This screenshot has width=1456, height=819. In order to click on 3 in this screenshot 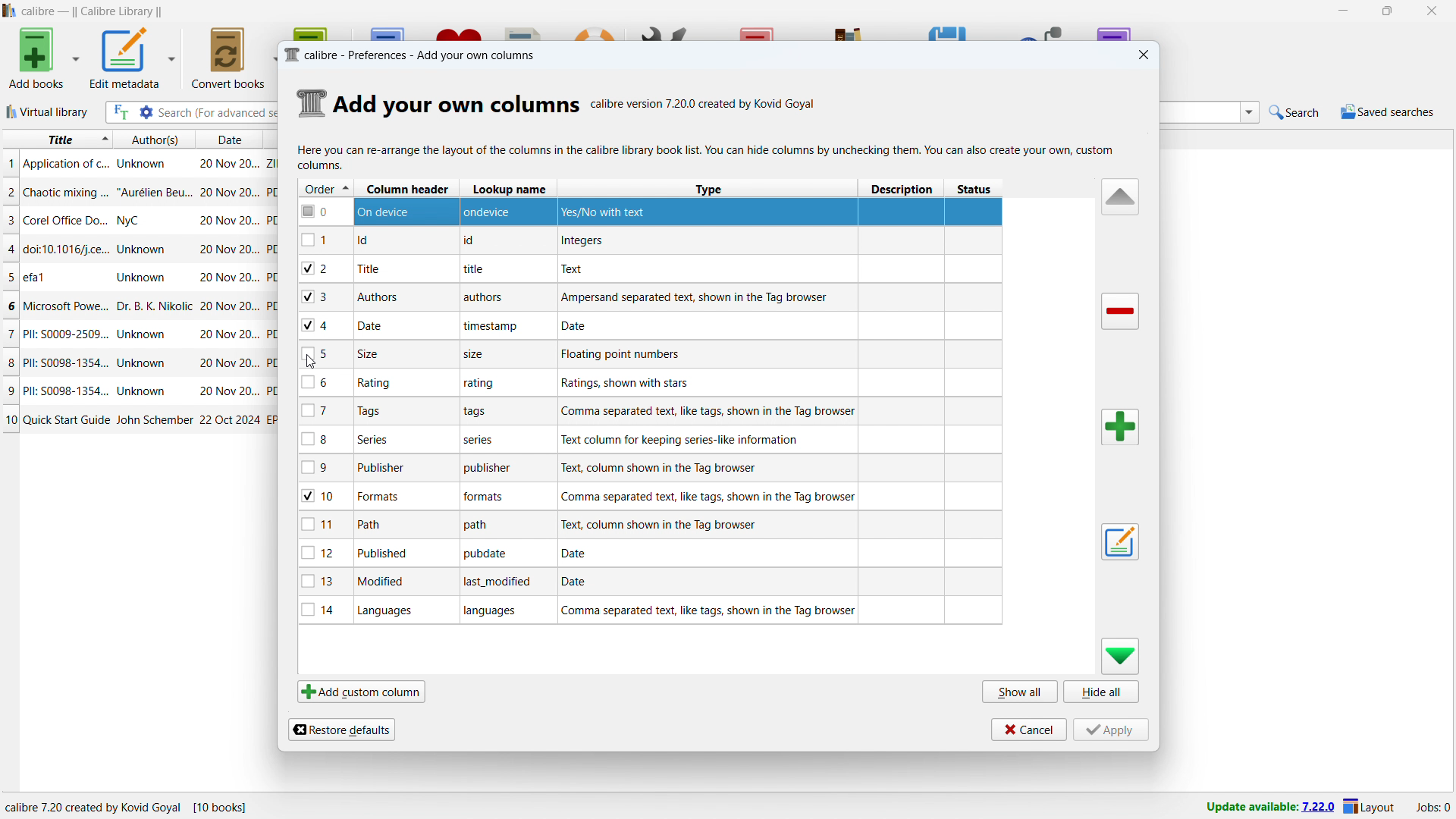, I will do `click(324, 297)`.